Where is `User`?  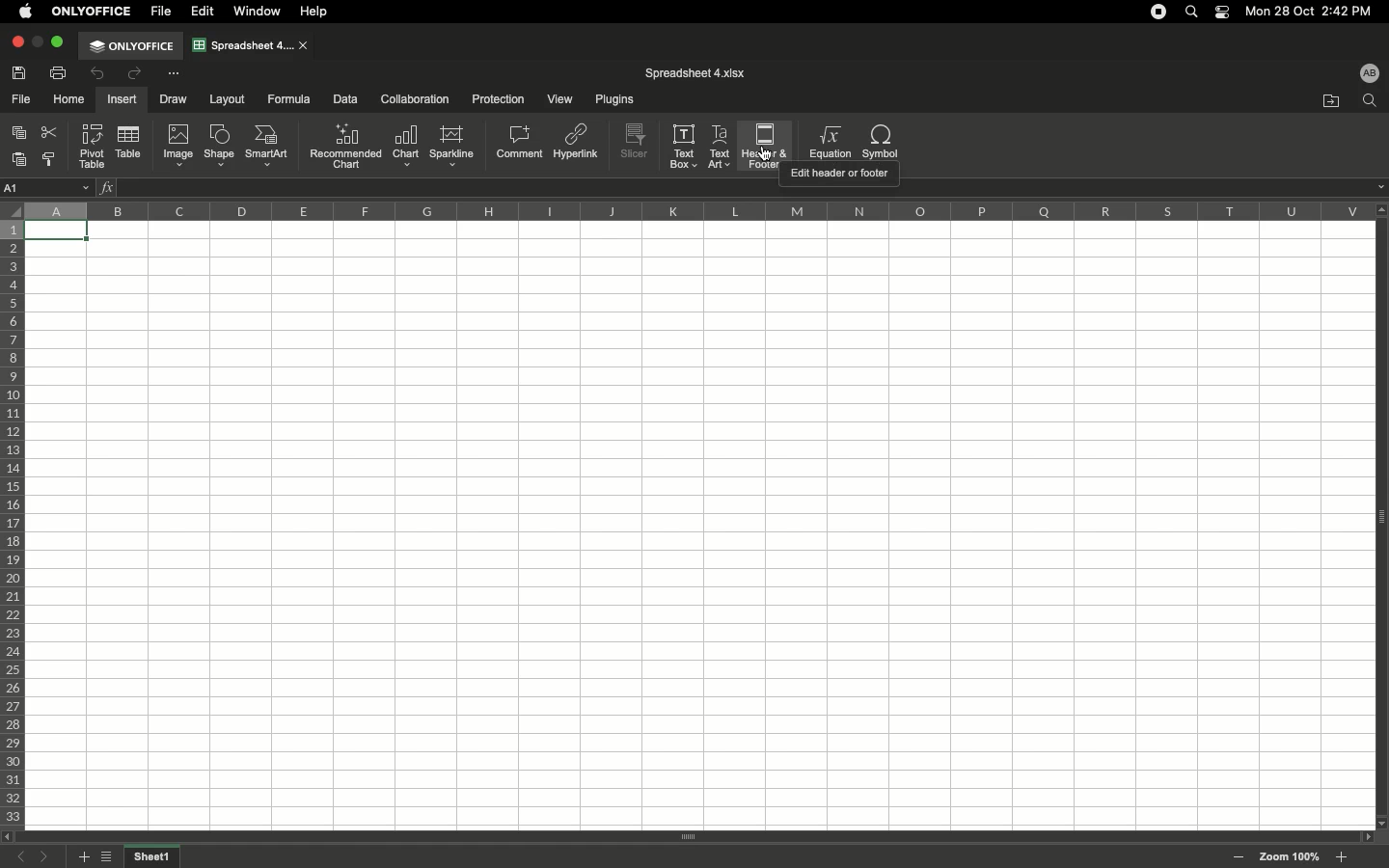
User is located at coordinates (1369, 72).